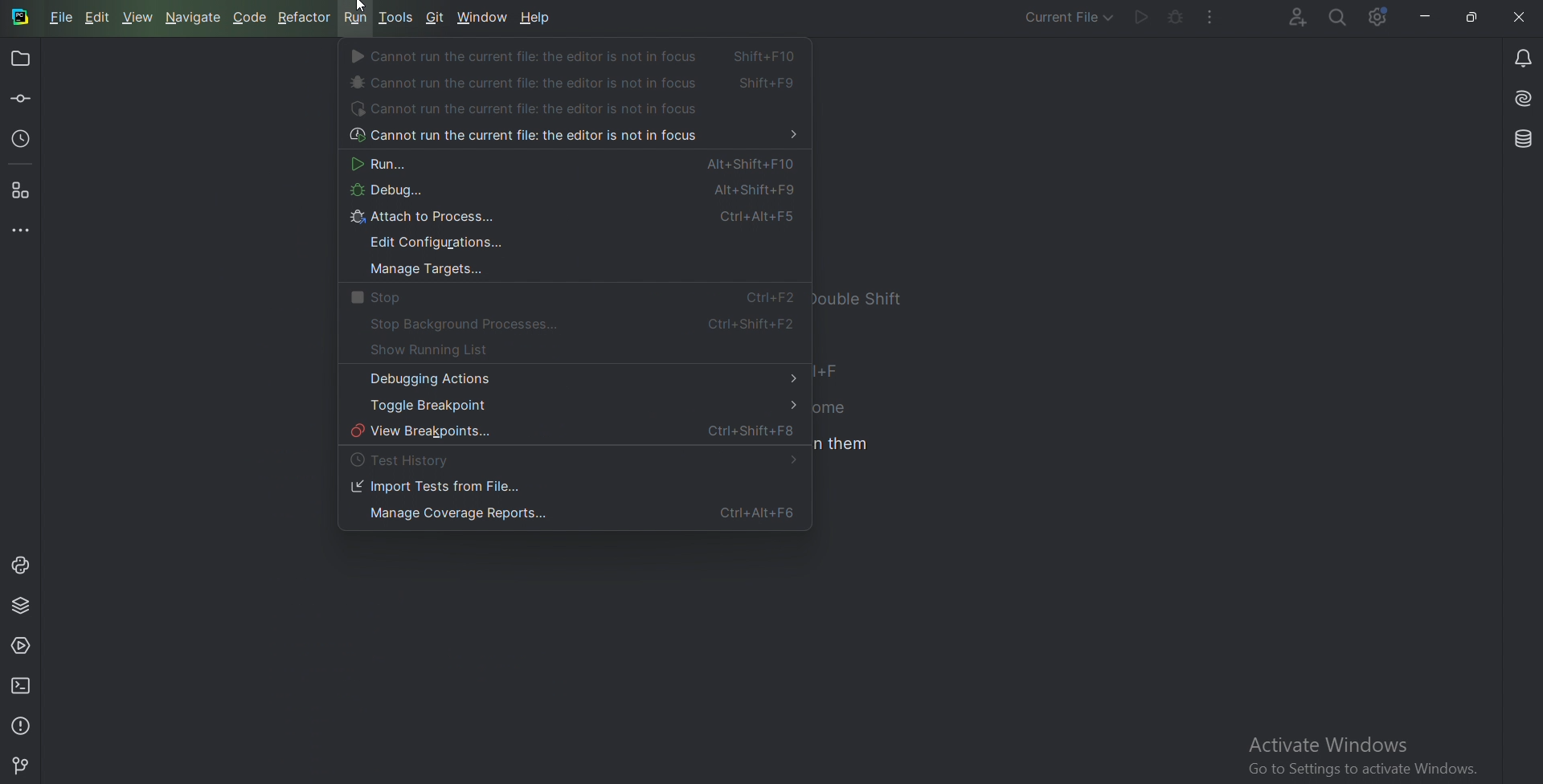  What do you see at coordinates (1521, 99) in the screenshot?
I see `Install AI Assistant` at bounding box center [1521, 99].